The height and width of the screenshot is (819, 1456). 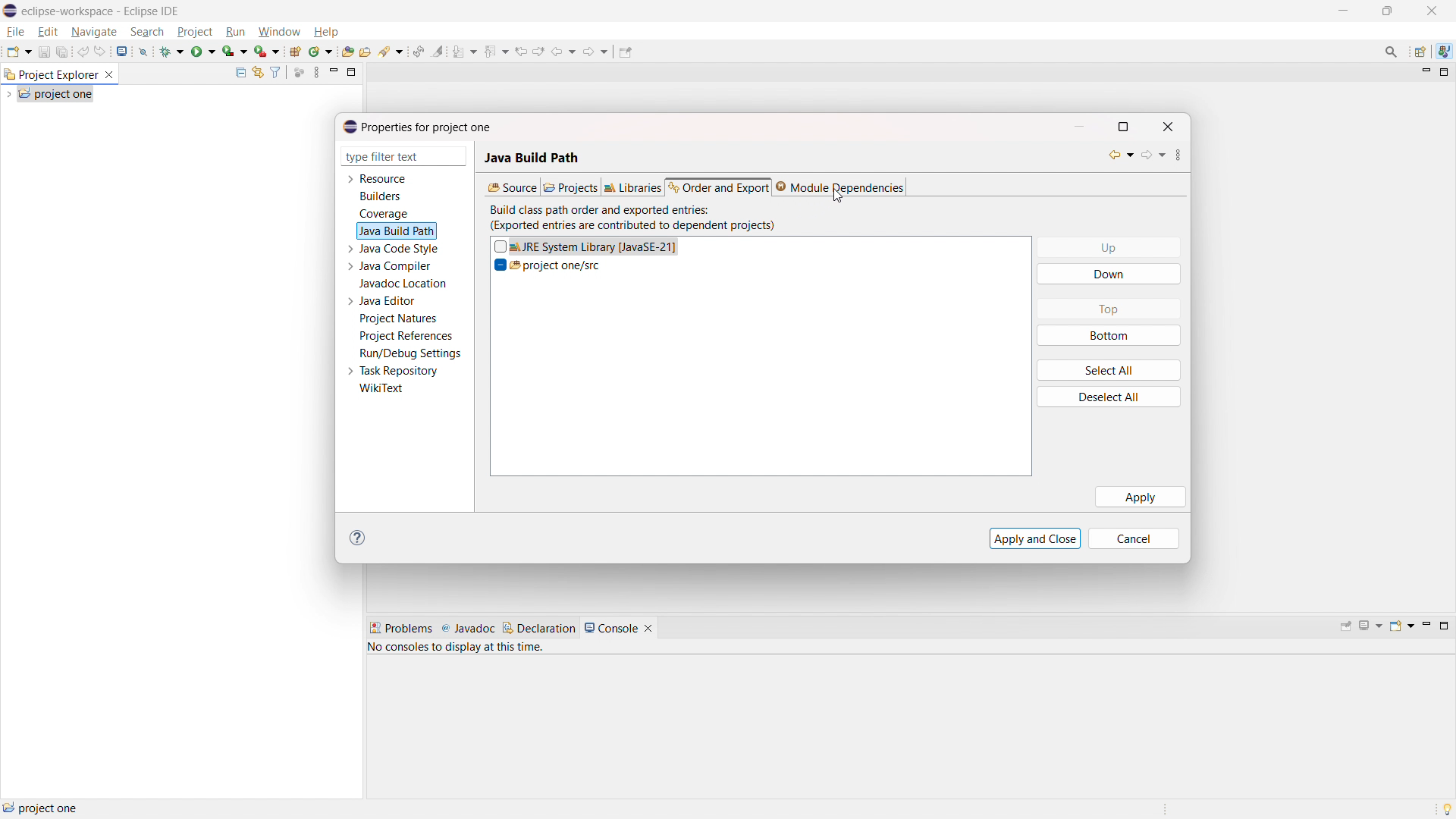 I want to click on forward, so click(x=597, y=51).